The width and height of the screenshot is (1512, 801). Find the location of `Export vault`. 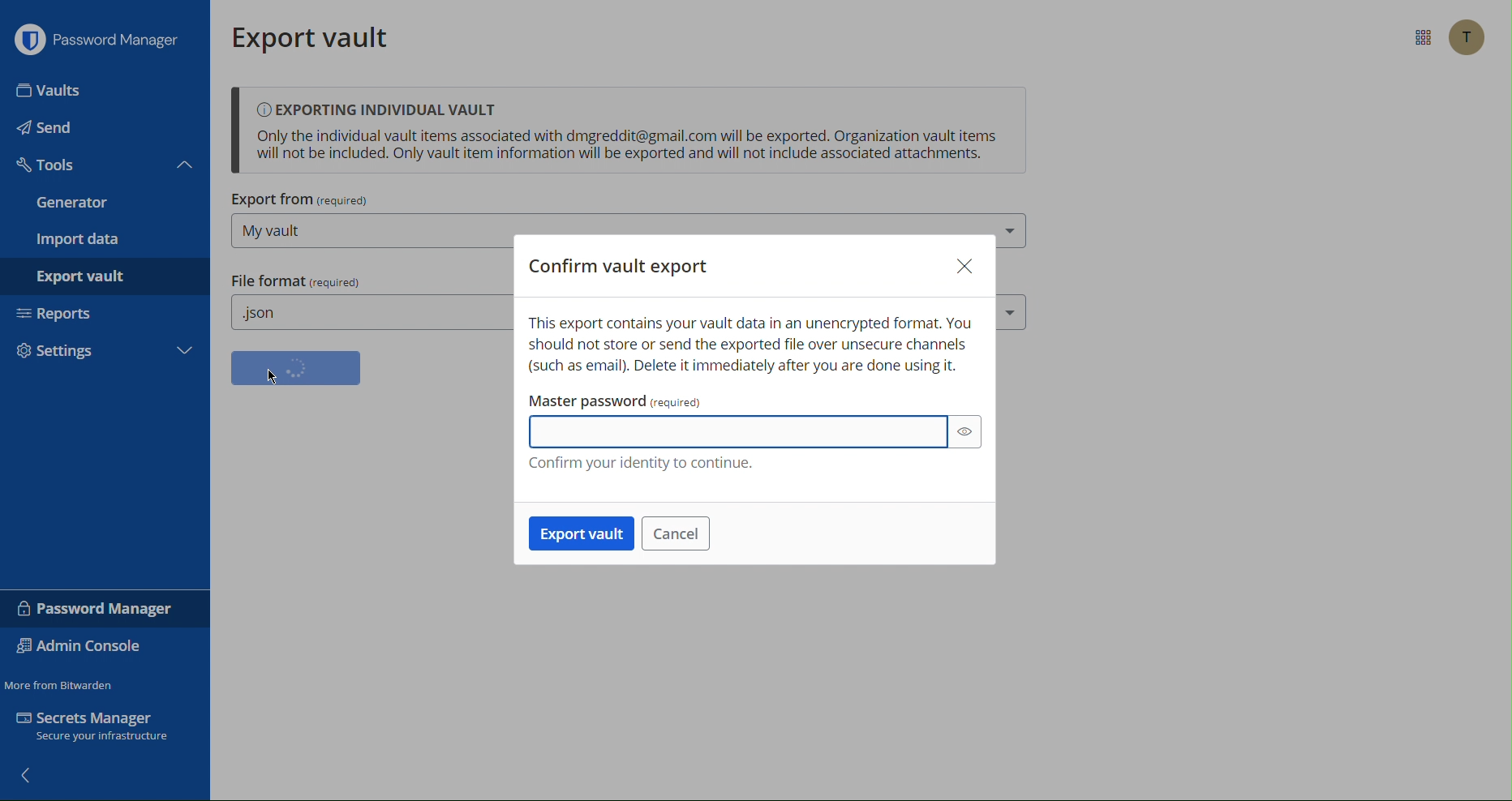

Export vault is located at coordinates (314, 36).